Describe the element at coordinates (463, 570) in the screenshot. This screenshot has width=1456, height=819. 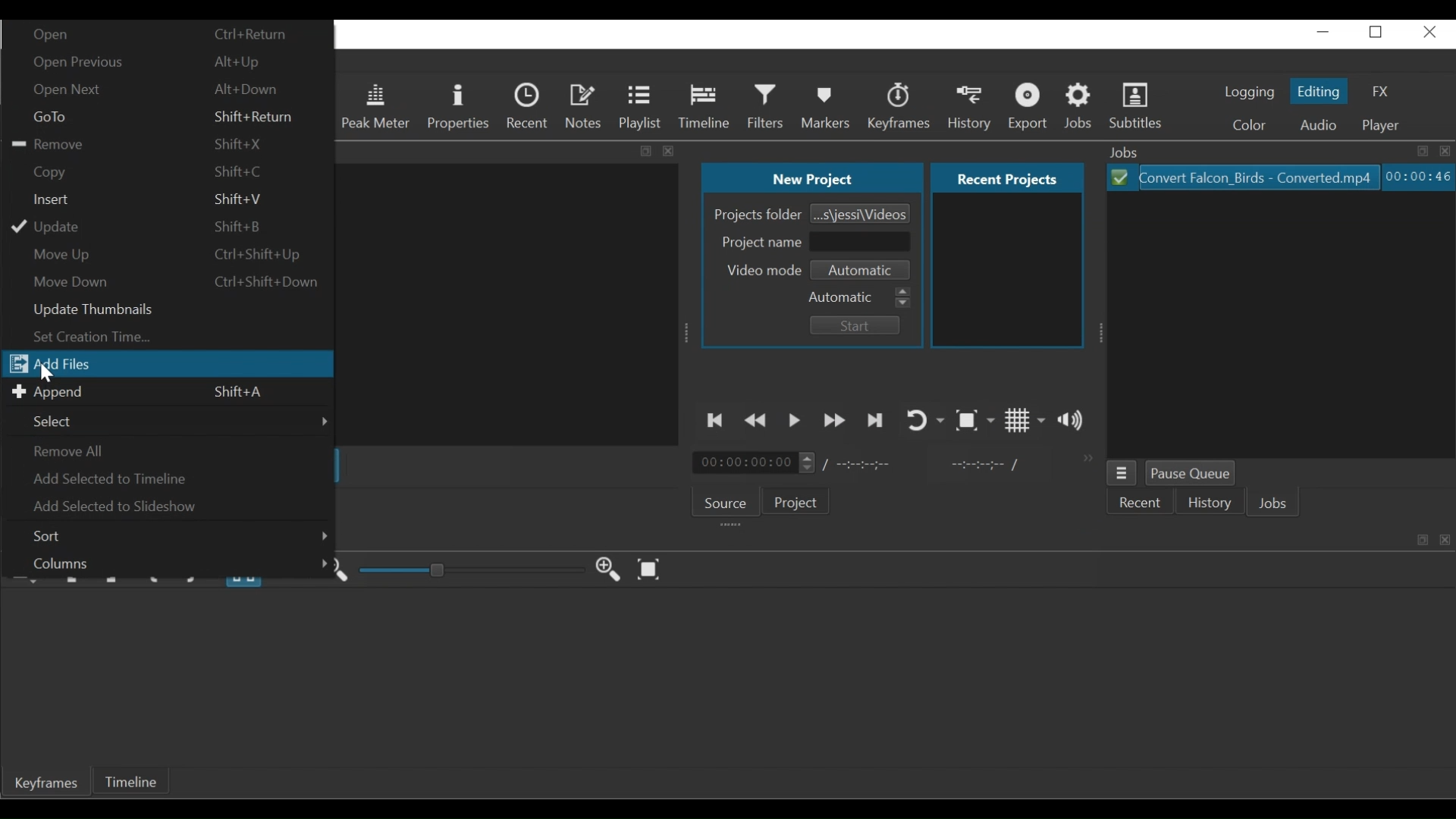
I see `Adjust Zoom Keyframe` at that location.